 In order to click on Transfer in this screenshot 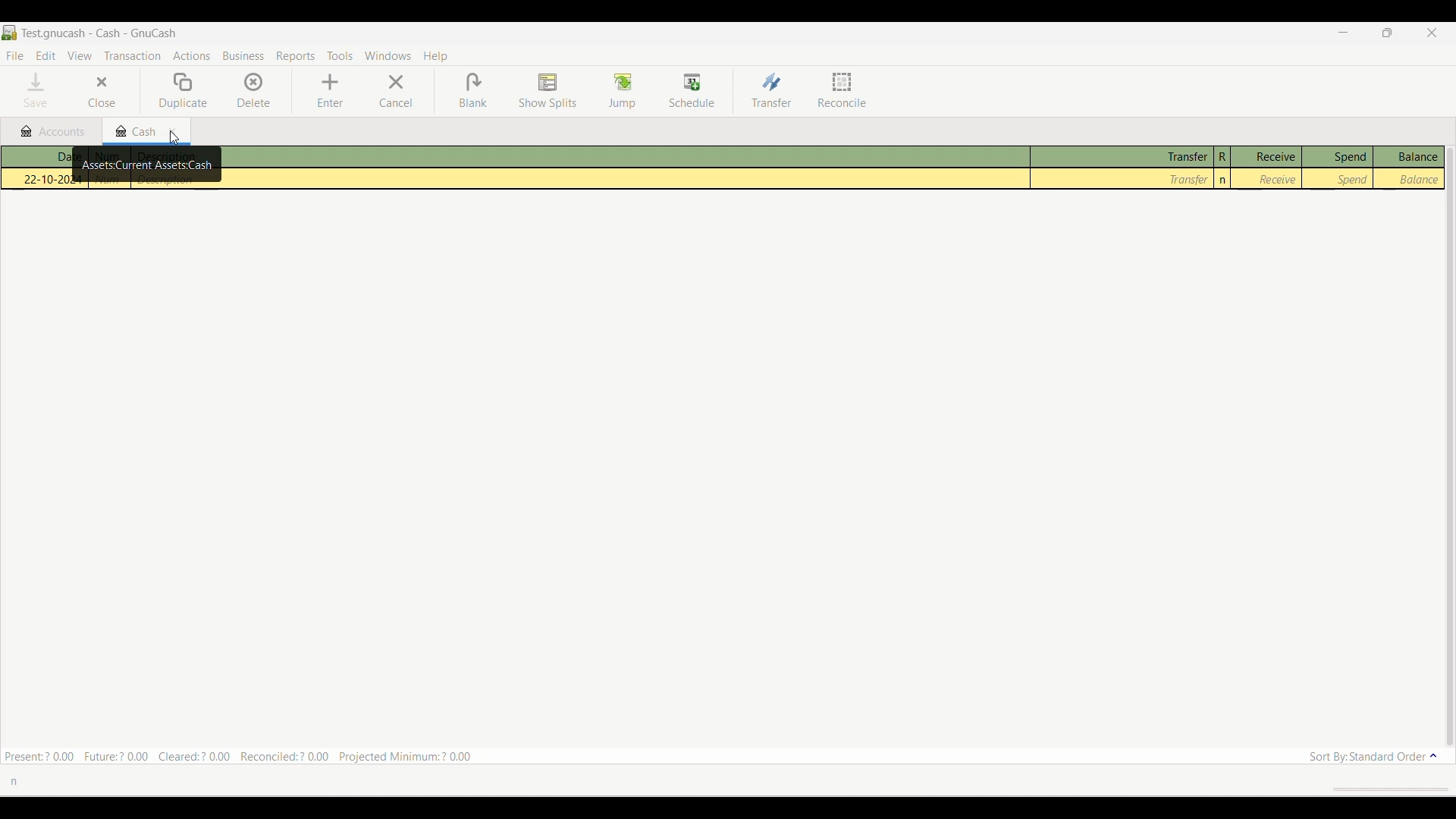, I will do `click(772, 90)`.